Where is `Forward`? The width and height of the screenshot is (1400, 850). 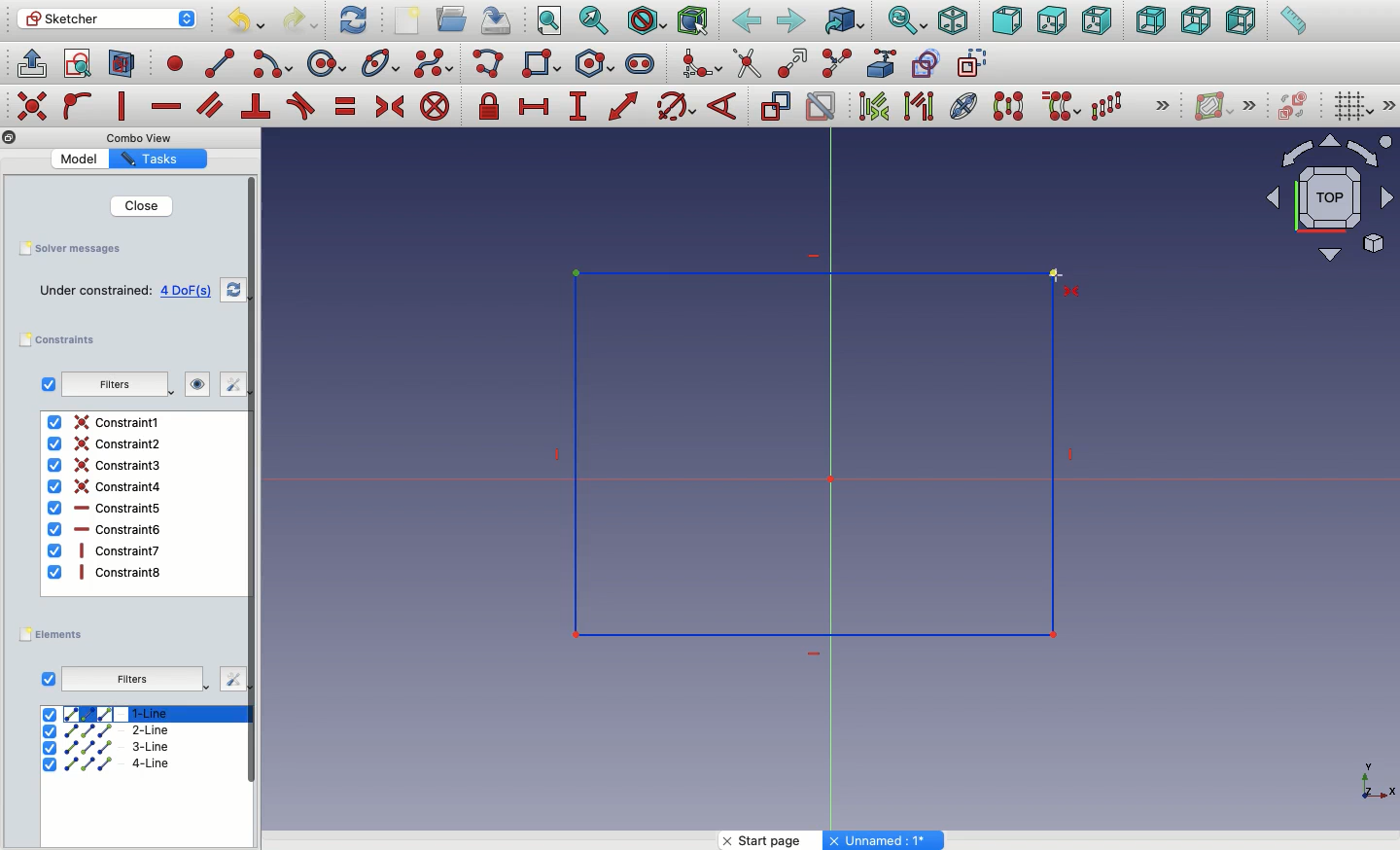
Forward is located at coordinates (791, 20).